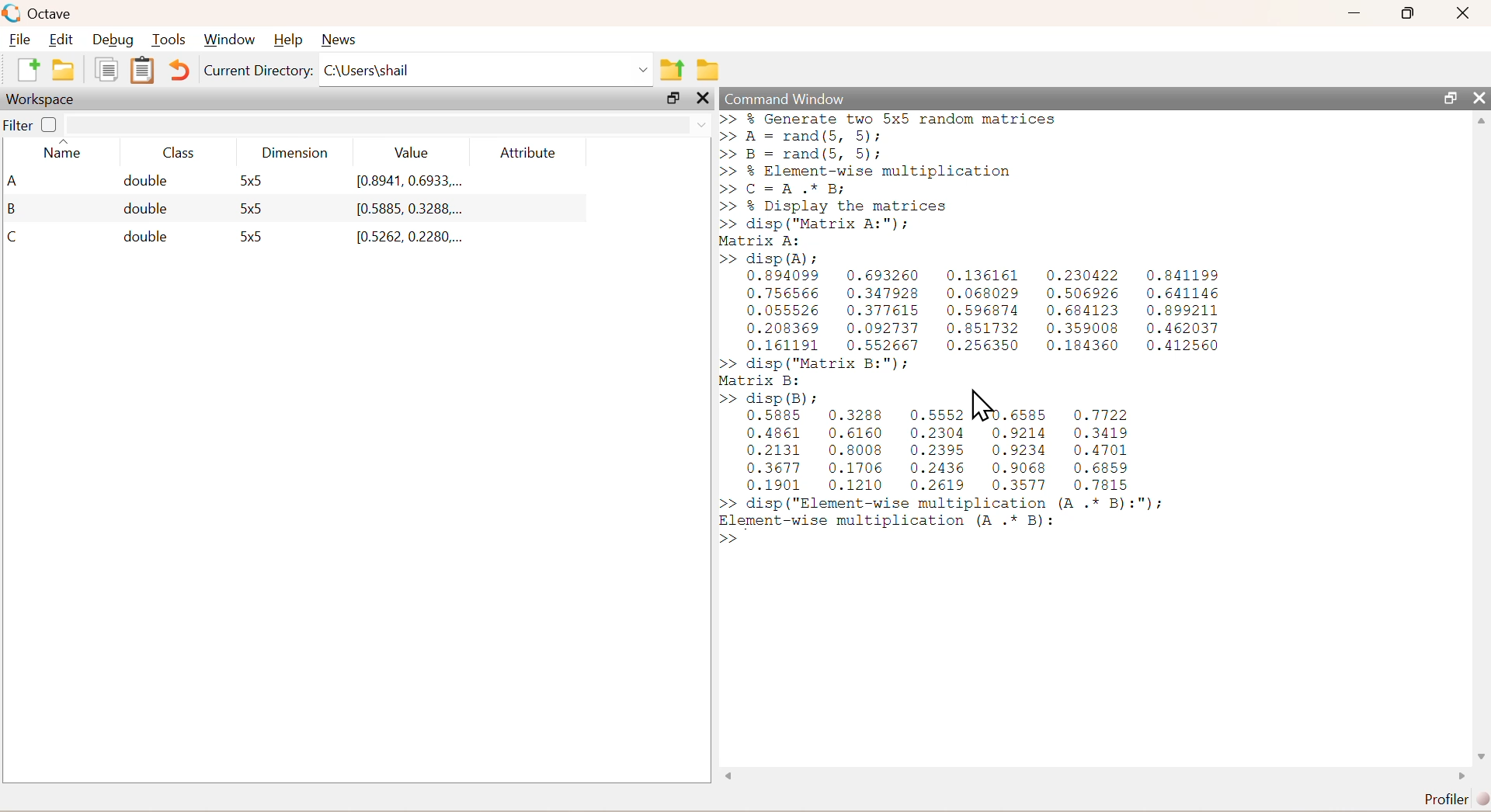 The height and width of the screenshot is (812, 1491). What do you see at coordinates (42, 101) in the screenshot?
I see `Workspace` at bounding box center [42, 101].